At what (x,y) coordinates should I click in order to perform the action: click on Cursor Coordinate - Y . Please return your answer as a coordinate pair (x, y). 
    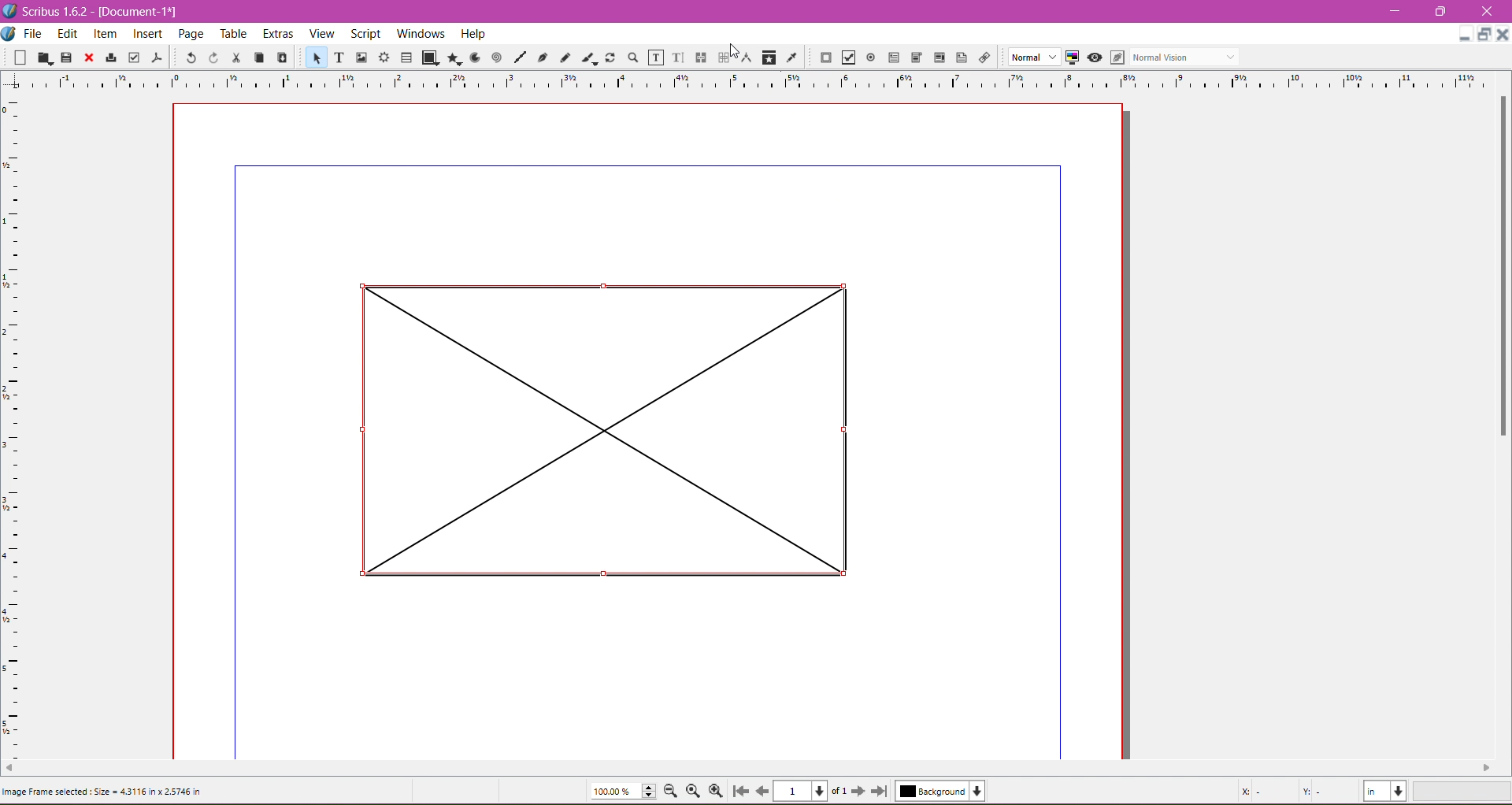
    Looking at the image, I should click on (1323, 791).